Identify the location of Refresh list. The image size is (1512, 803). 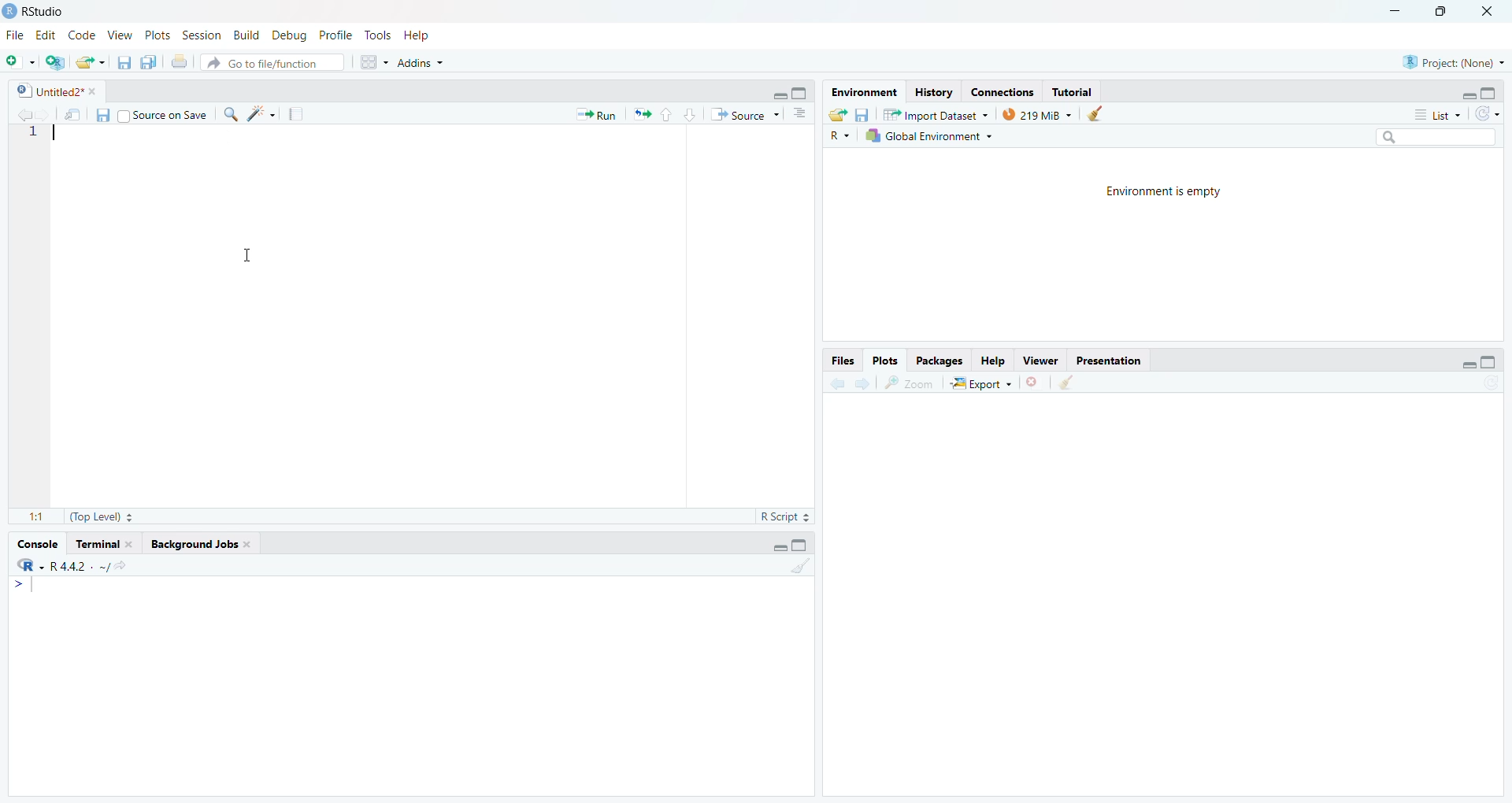
(1488, 115).